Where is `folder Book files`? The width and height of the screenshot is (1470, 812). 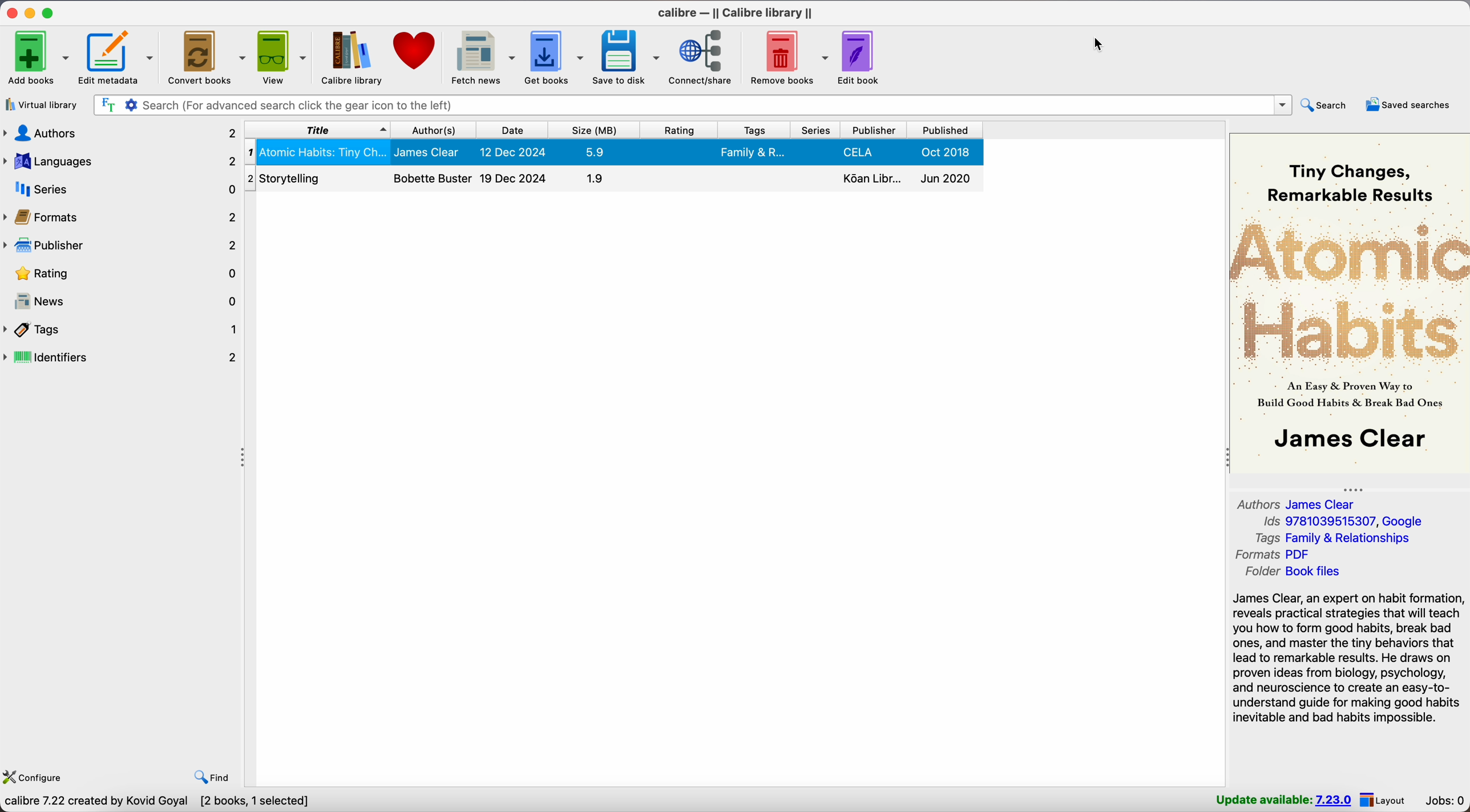 folder Book files is located at coordinates (1295, 572).